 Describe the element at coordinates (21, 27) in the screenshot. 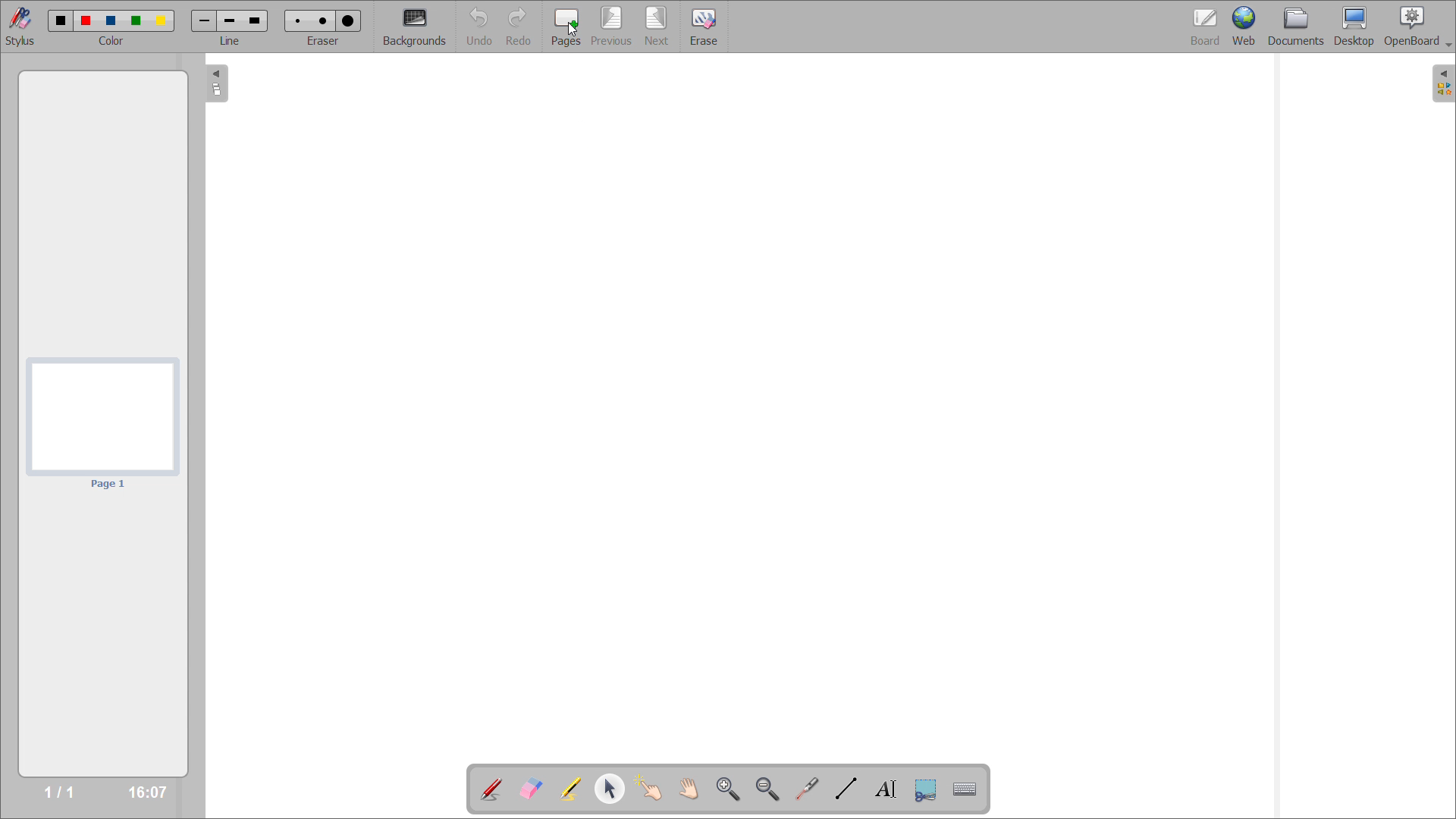

I see `stylus` at that location.